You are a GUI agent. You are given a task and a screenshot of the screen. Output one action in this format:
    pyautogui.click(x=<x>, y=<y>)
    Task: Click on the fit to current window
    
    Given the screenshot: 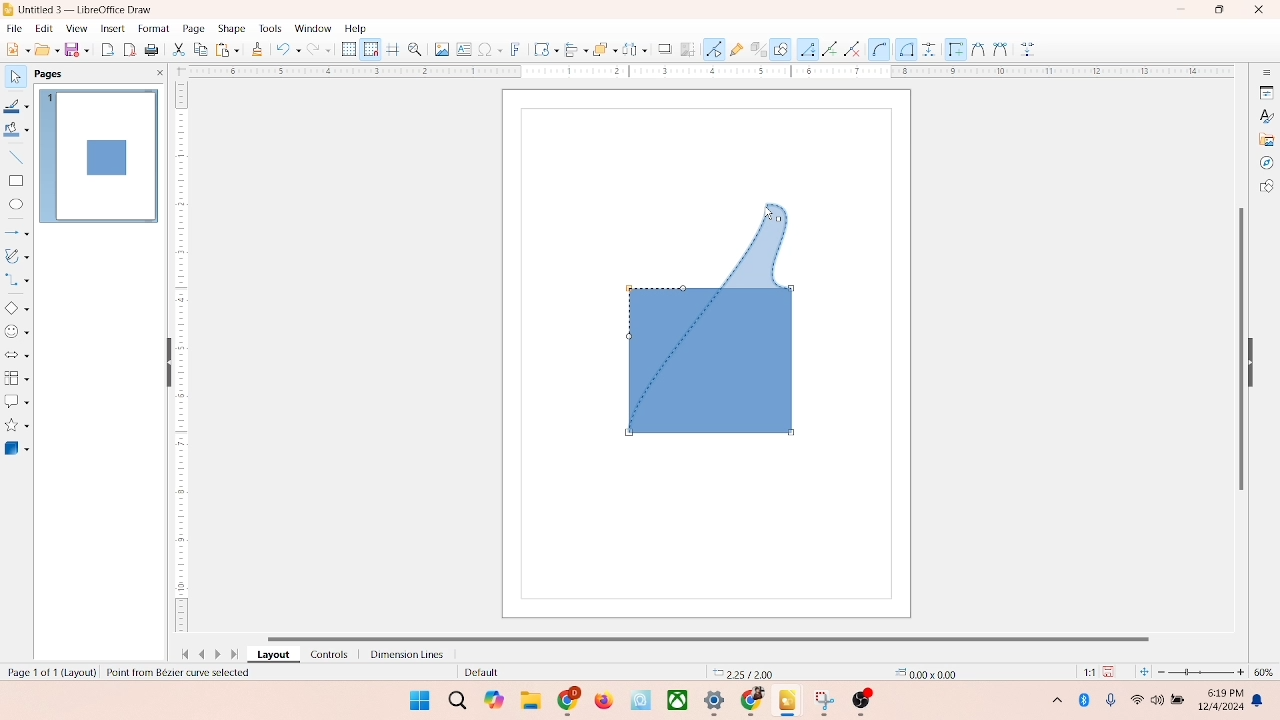 What is the action you would take?
    pyautogui.click(x=1143, y=672)
    